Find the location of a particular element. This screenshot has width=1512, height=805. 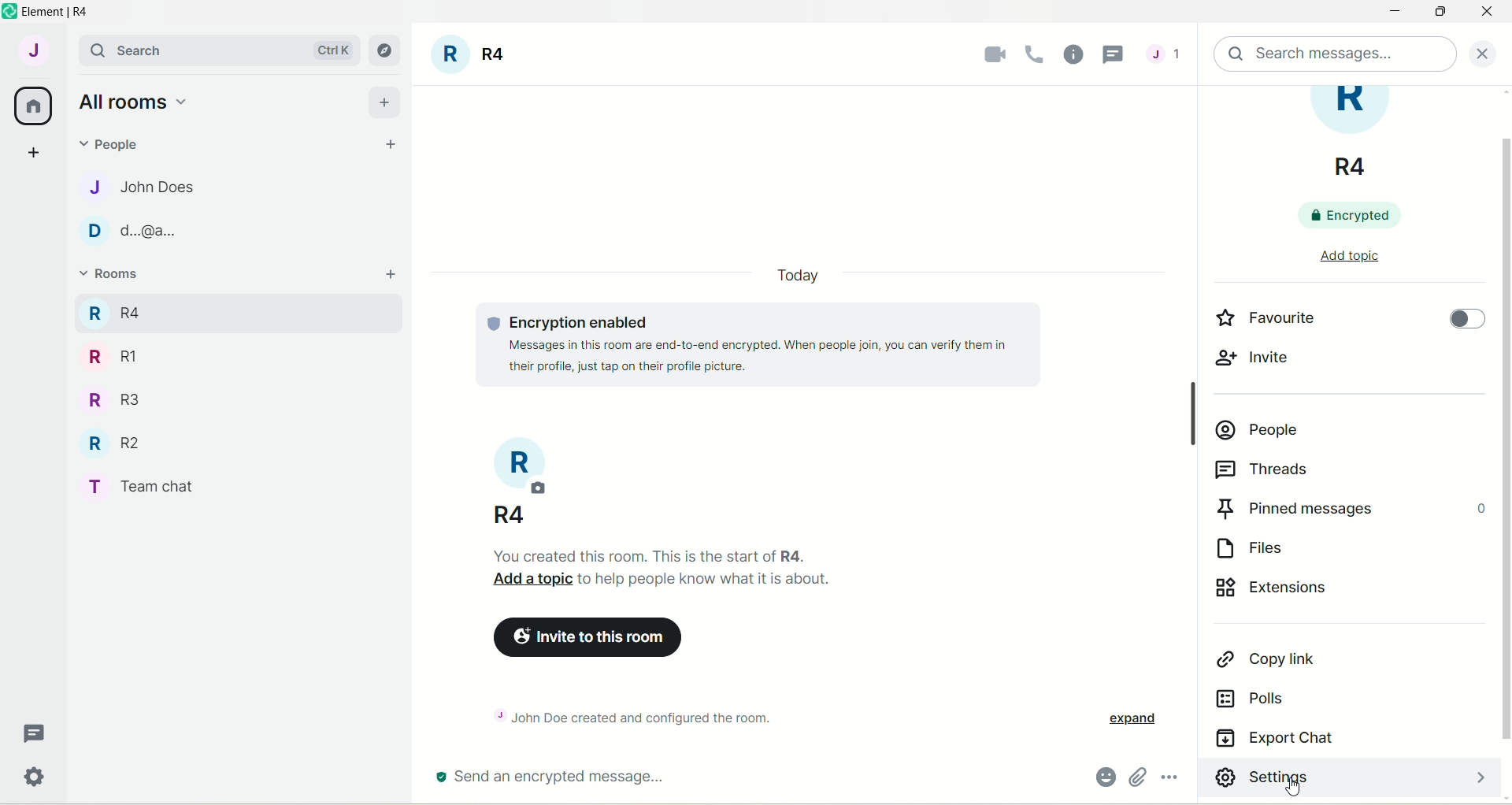

pinned messages is located at coordinates (1350, 508).